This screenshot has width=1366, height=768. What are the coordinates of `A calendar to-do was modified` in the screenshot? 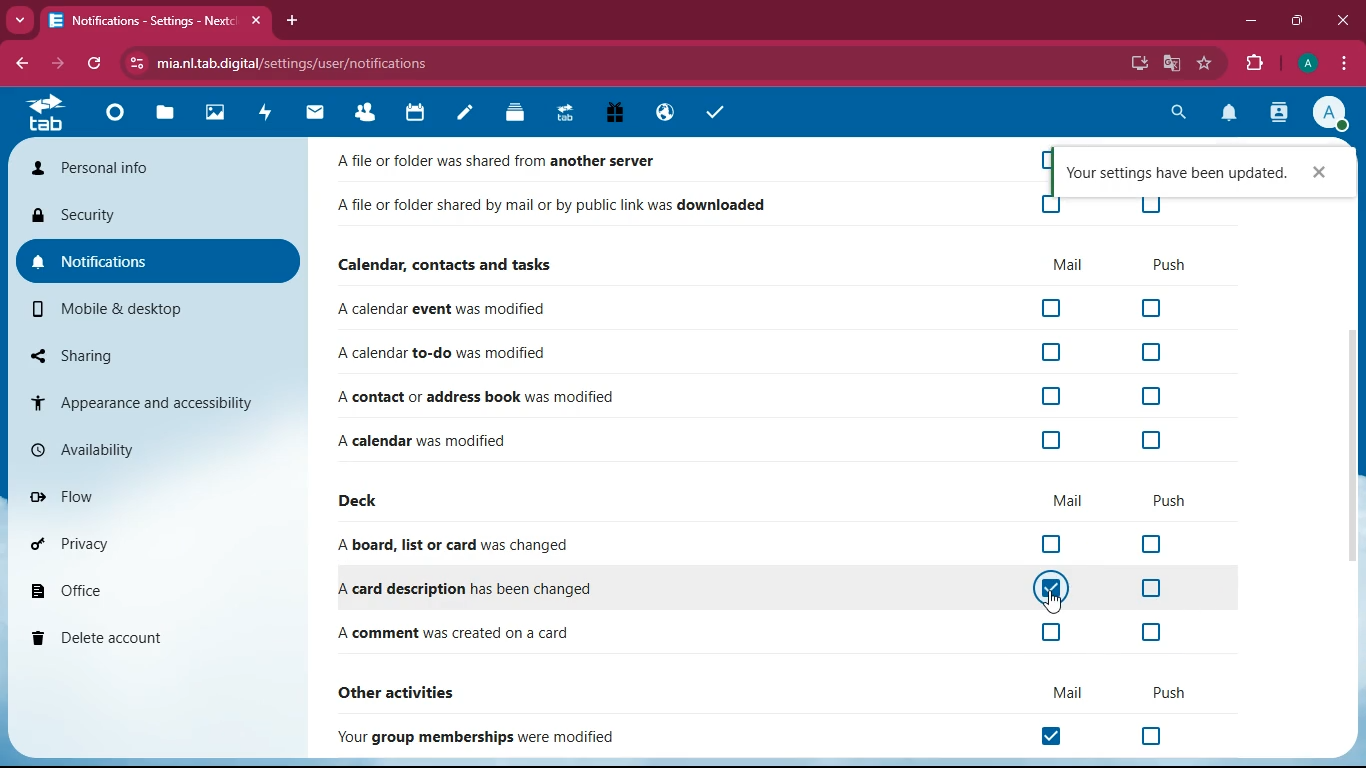 It's located at (445, 354).